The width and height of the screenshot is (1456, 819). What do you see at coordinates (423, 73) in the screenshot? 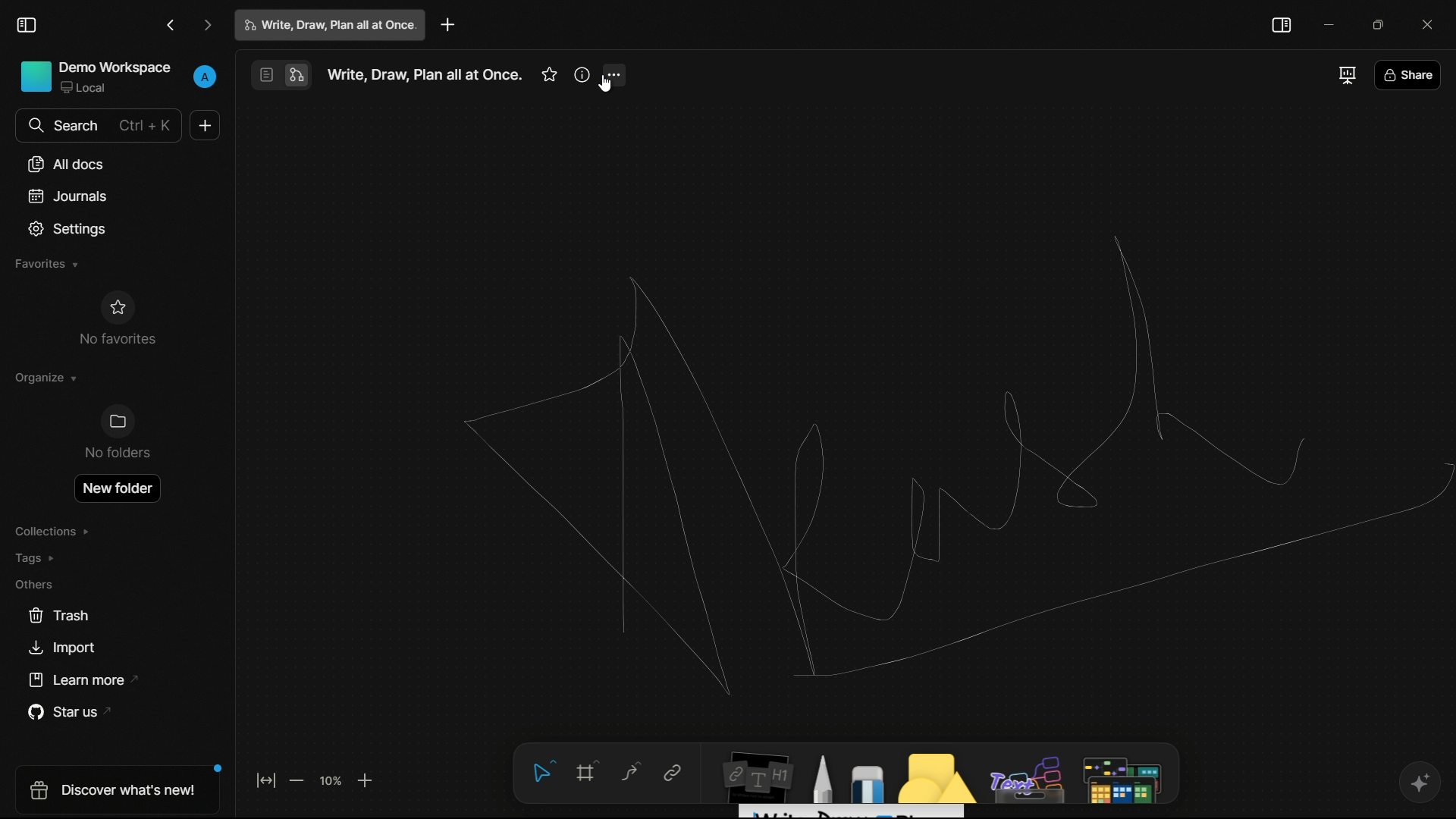
I see `Write, Draw, Plan all at Once.` at bounding box center [423, 73].